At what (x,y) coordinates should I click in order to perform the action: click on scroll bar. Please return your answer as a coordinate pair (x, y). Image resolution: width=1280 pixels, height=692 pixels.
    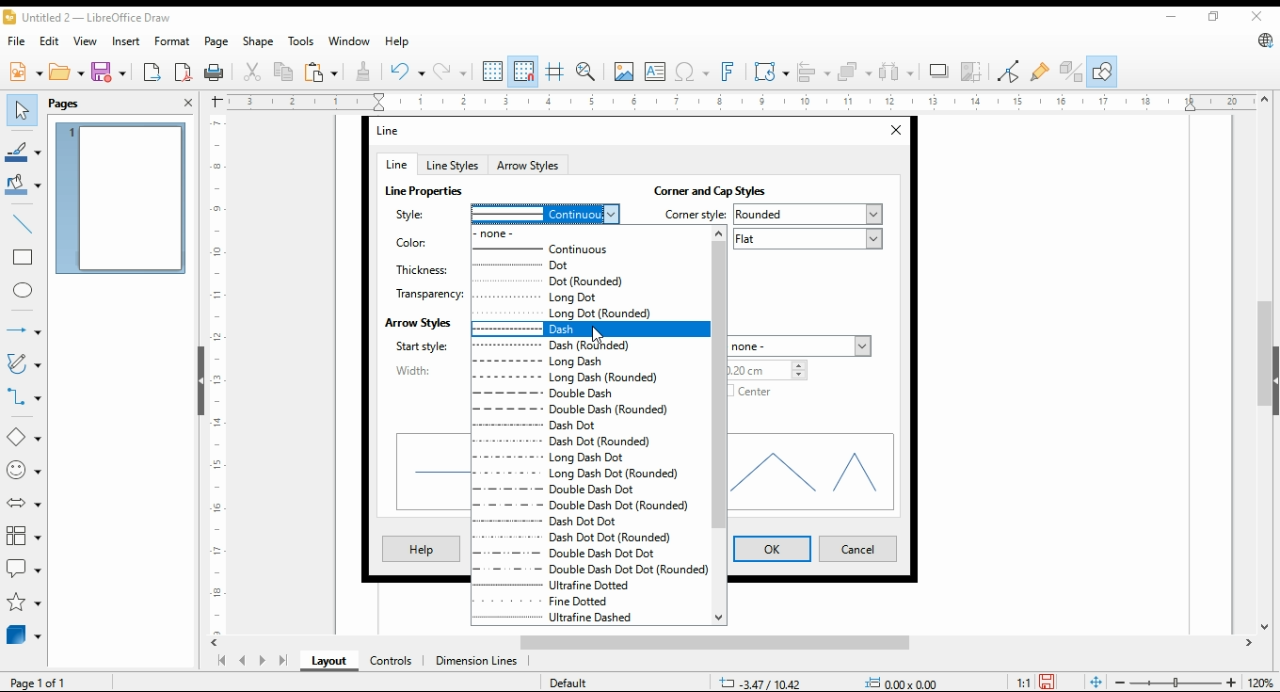
    Looking at the image, I should click on (1264, 363).